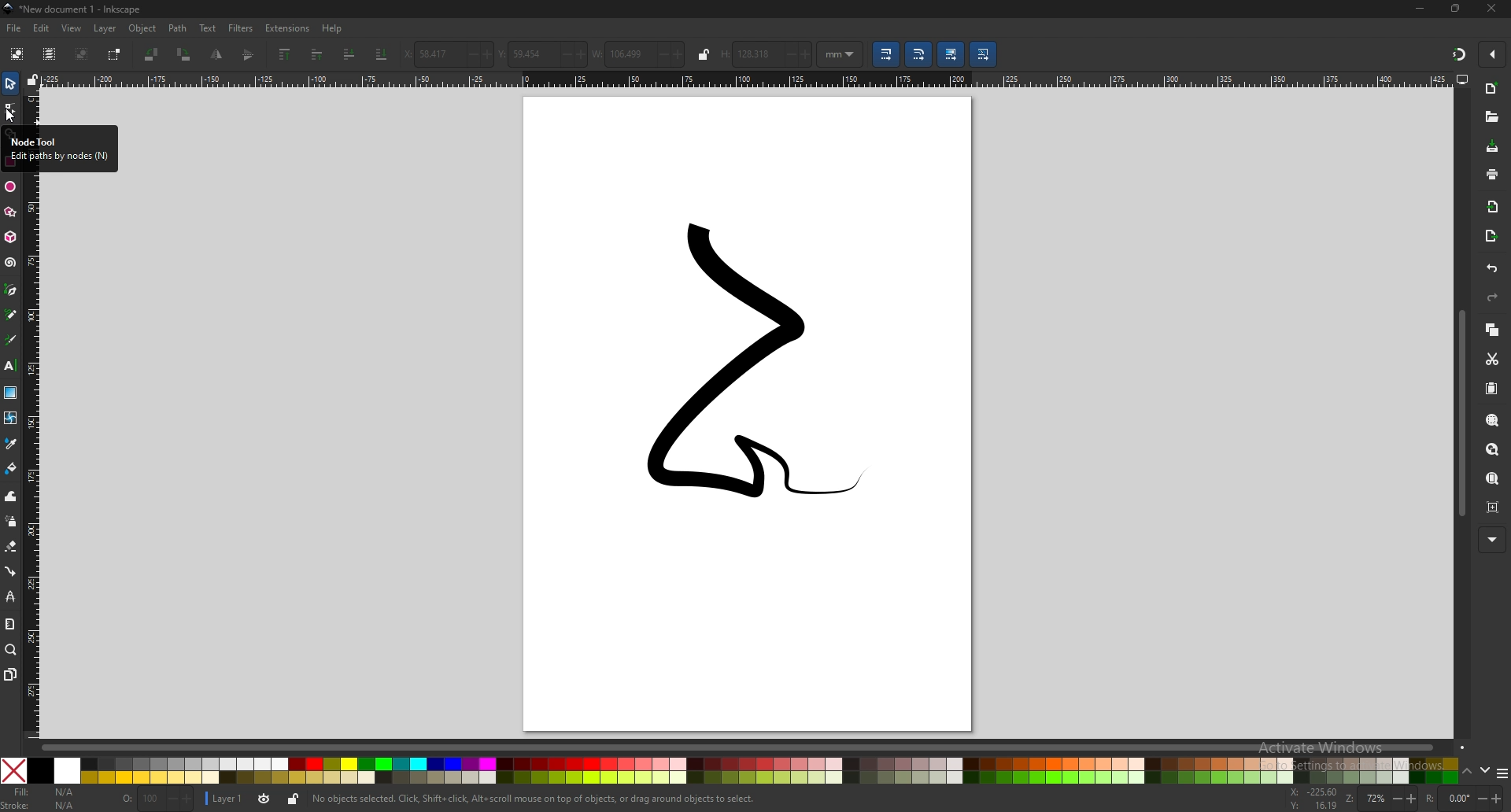 This screenshot has width=1511, height=812. Describe the element at coordinates (39, 806) in the screenshot. I see `stroke` at that location.